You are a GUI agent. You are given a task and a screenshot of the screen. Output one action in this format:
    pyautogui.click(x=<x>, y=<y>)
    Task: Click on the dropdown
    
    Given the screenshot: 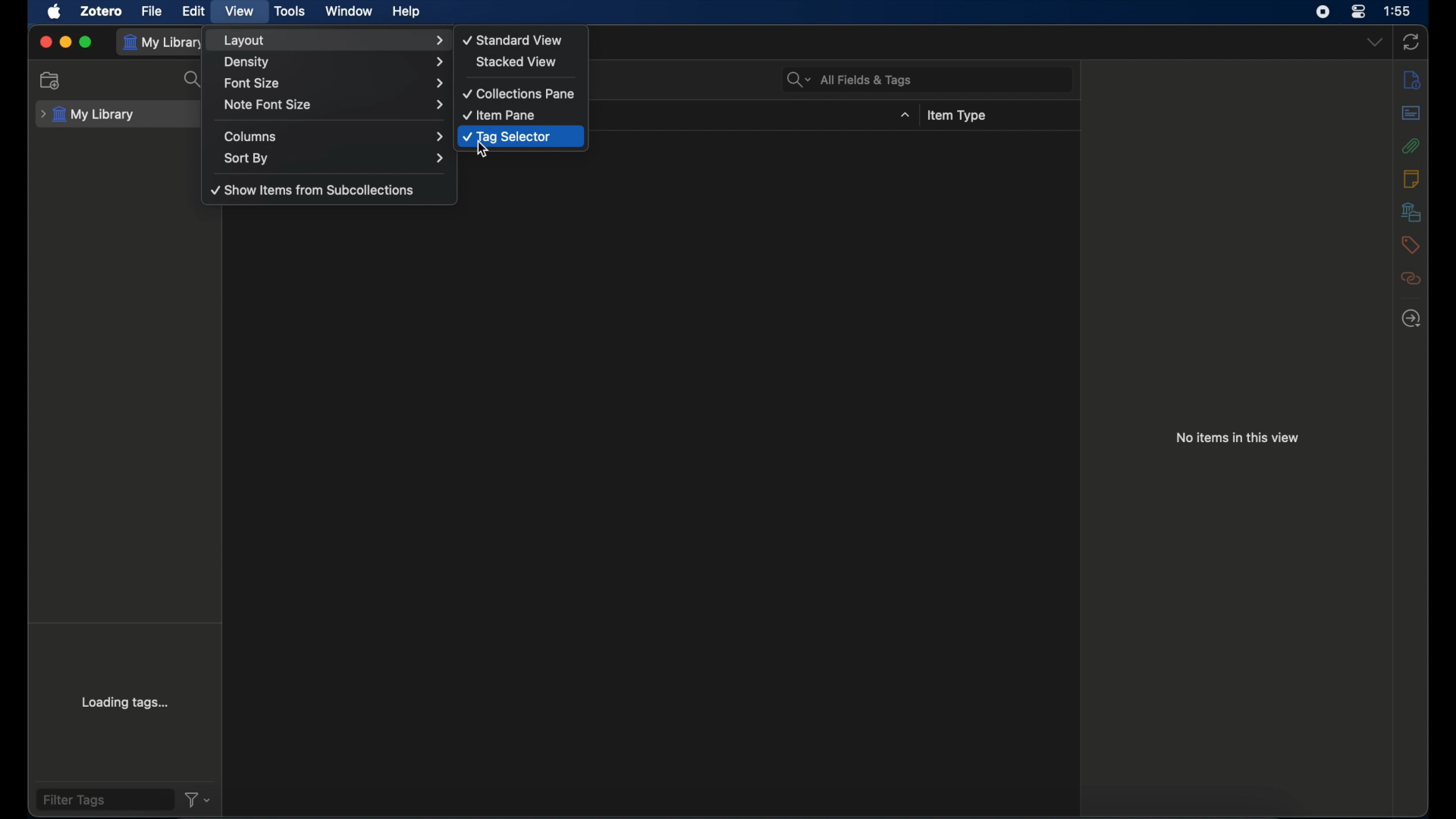 What is the action you would take?
    pyautogui.click(x=904, y=115)
    